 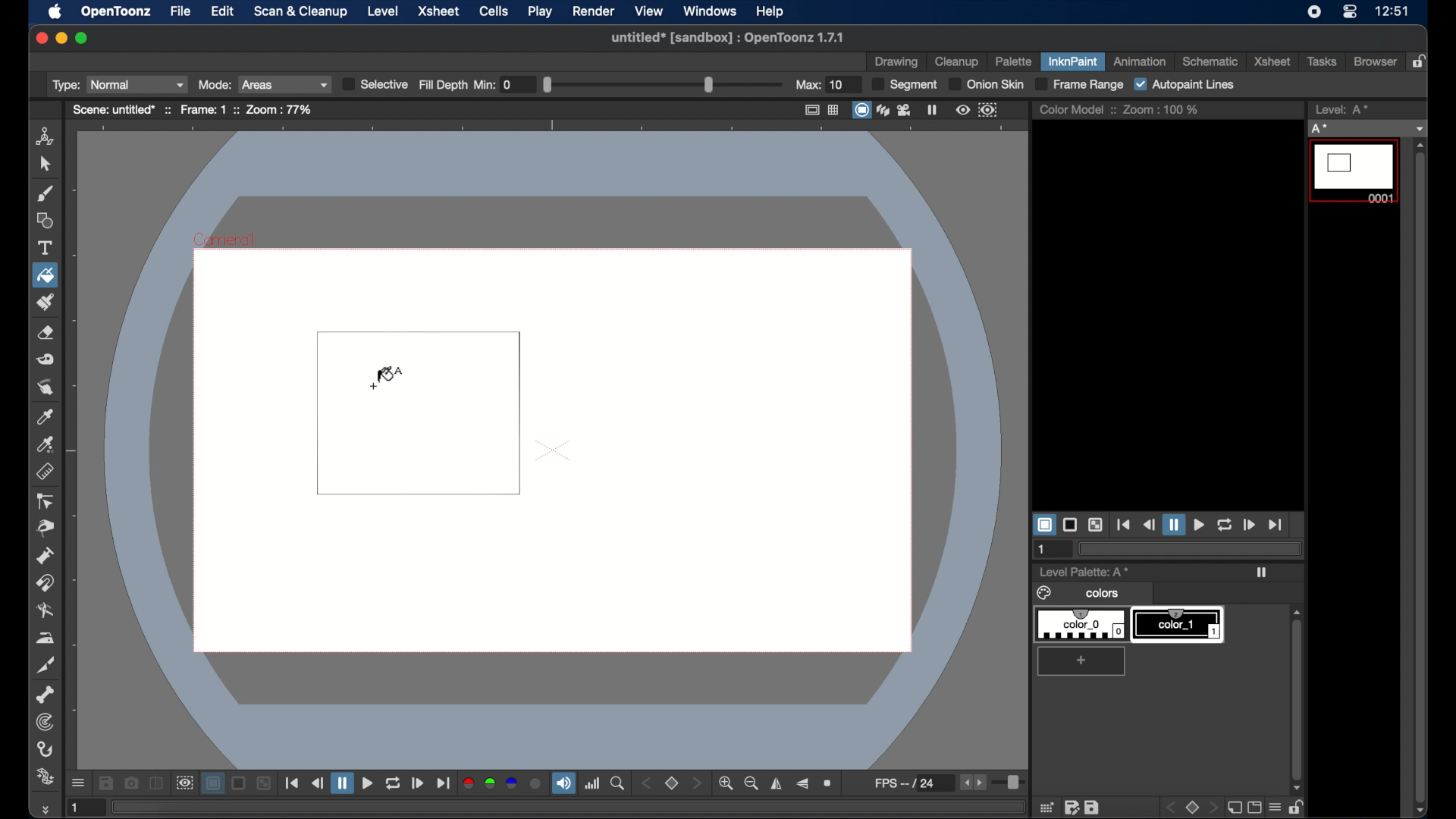 What do you see at coordinates (83, 38) in the screenshot?
I see `maximize` at bounding box center [83, 38].